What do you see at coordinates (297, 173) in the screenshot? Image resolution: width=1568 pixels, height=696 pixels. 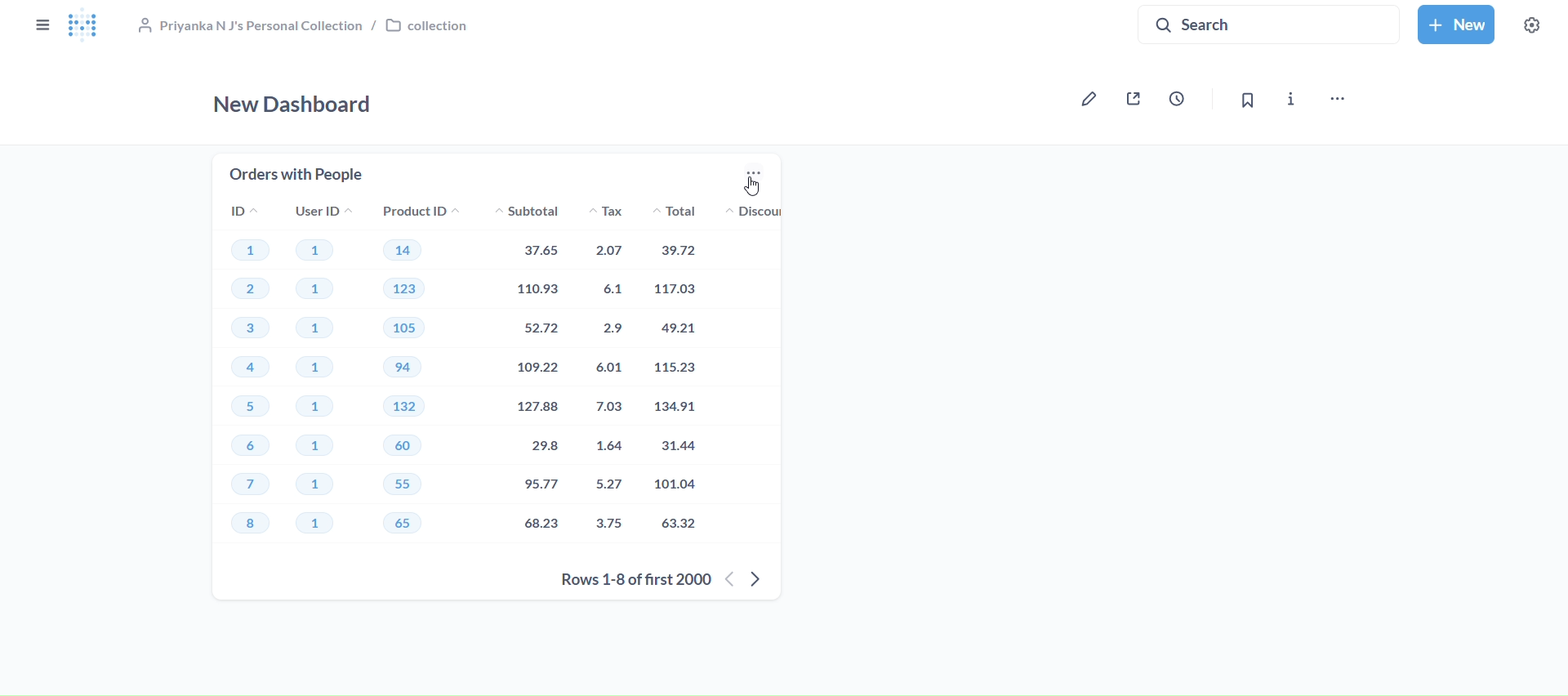 I see `orders with people` at bounding box center [297, 173].